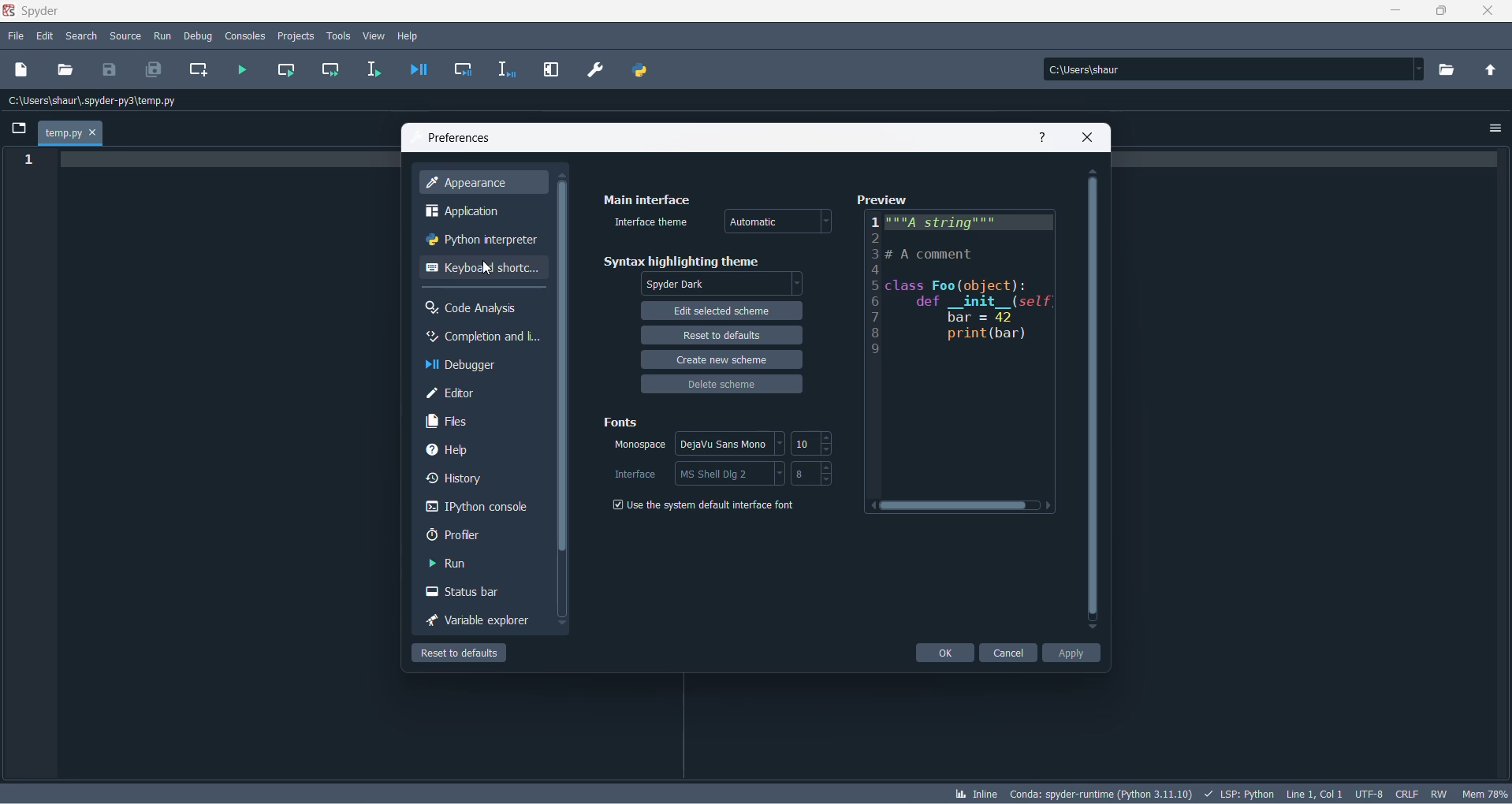 This screenshot has height=804, width=1512. What do you see at coordinates (371, 70) in the screenshot?
I see `run selection` at bounding box center [371, 70].